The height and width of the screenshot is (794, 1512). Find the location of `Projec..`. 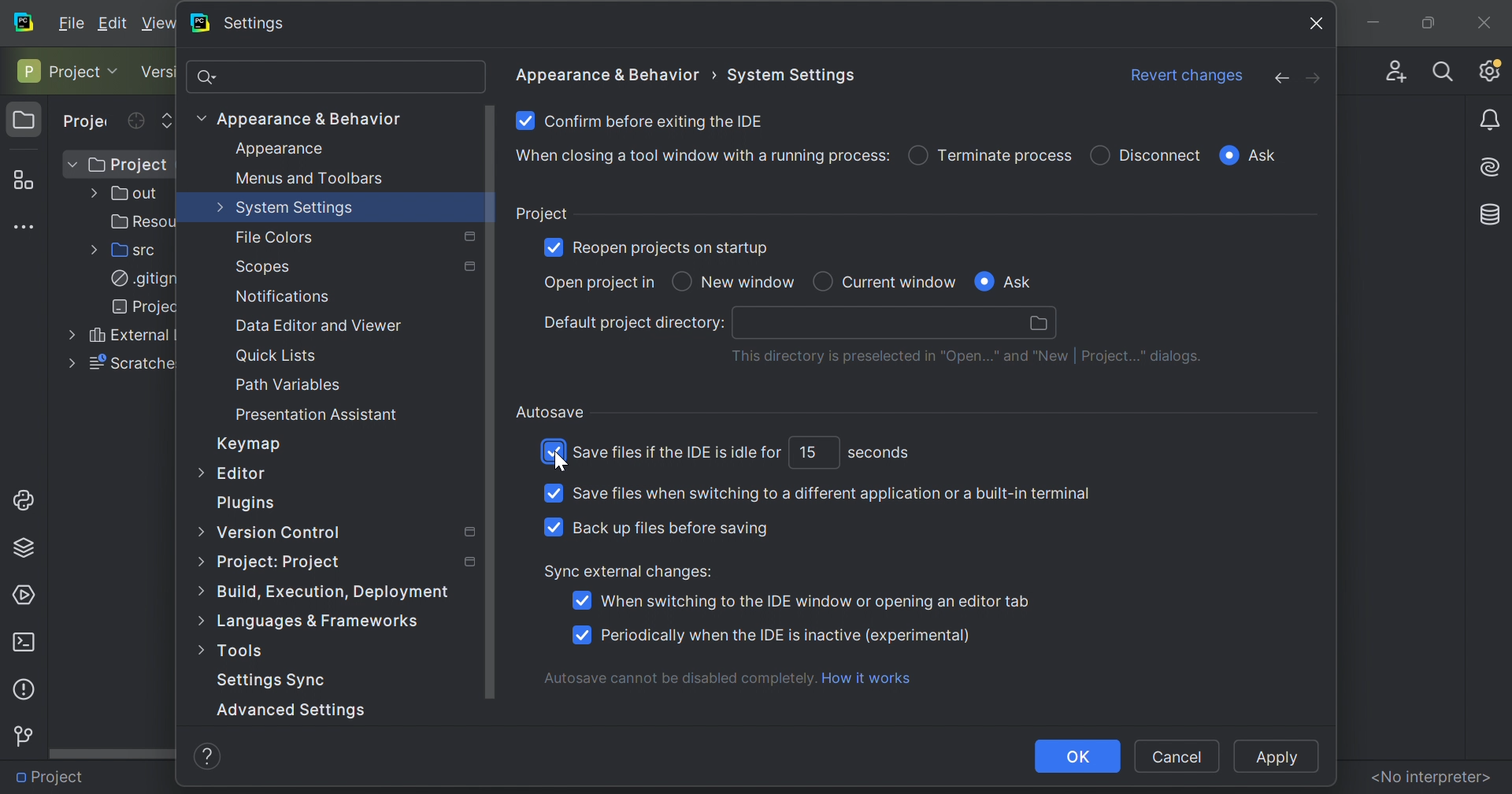

Projec.. is located at coordinates (134, 307).